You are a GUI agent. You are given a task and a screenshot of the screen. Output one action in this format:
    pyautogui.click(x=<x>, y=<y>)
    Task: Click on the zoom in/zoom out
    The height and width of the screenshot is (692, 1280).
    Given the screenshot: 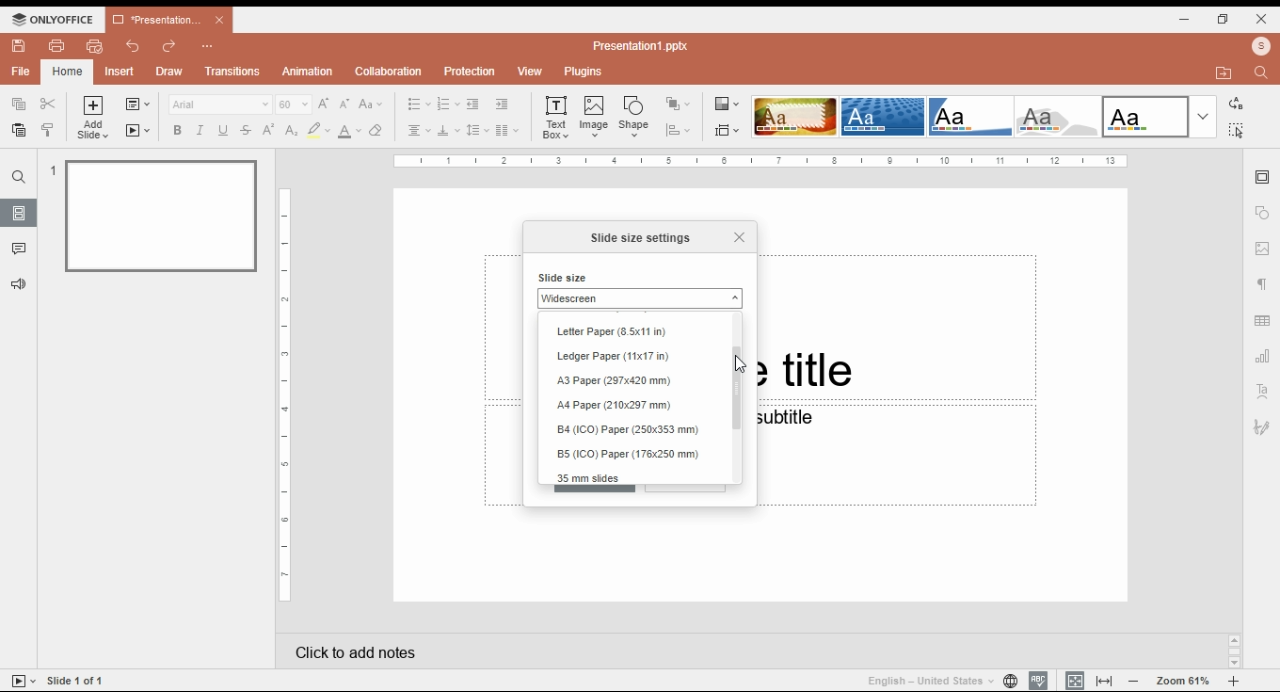 What is the action you would take?
    pyautogui.click(x=1234, y=681)
    